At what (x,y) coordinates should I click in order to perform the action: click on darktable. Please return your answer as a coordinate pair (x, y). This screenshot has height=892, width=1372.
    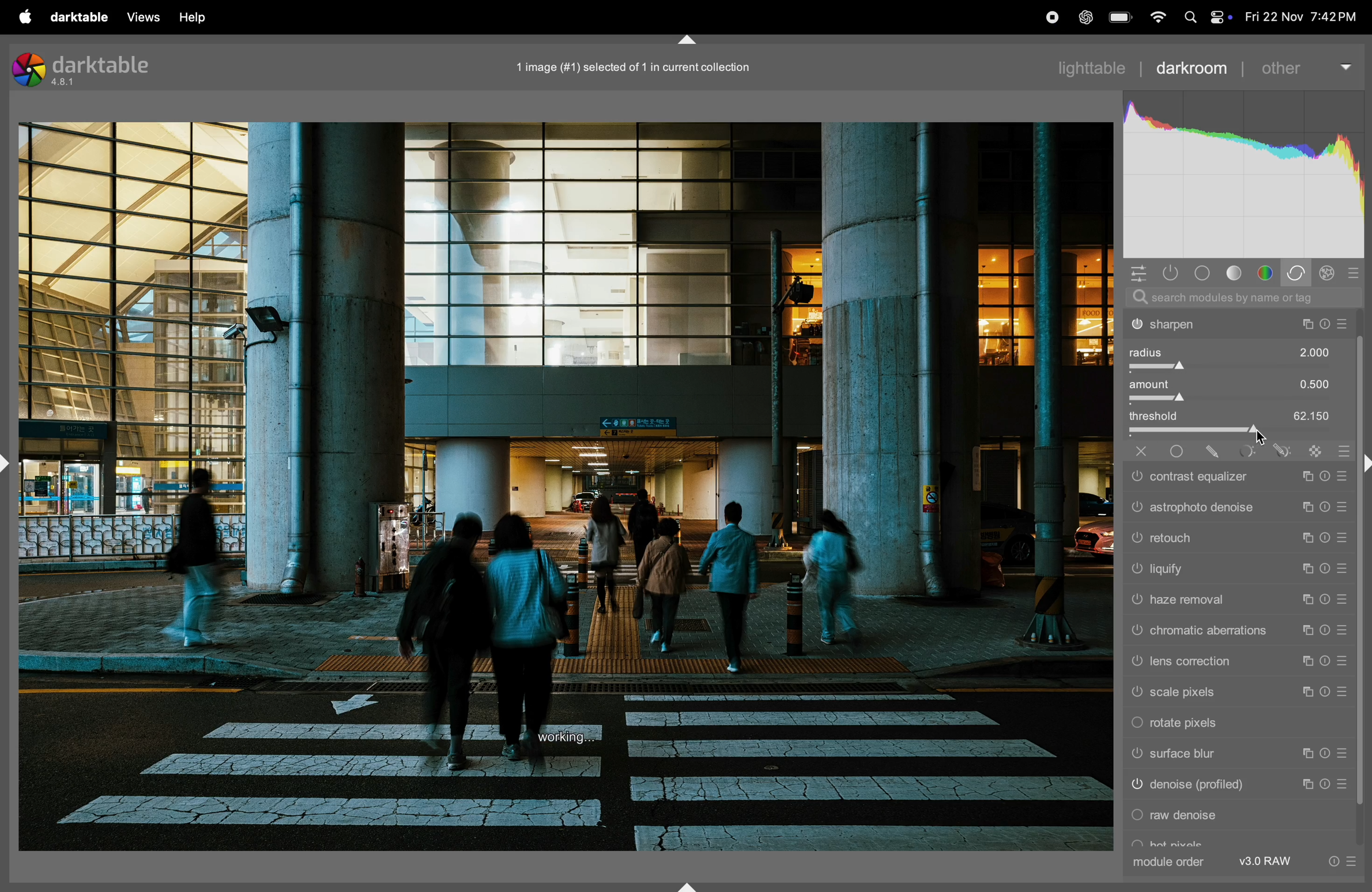
    Looking at the image, I should click on (78, 17).